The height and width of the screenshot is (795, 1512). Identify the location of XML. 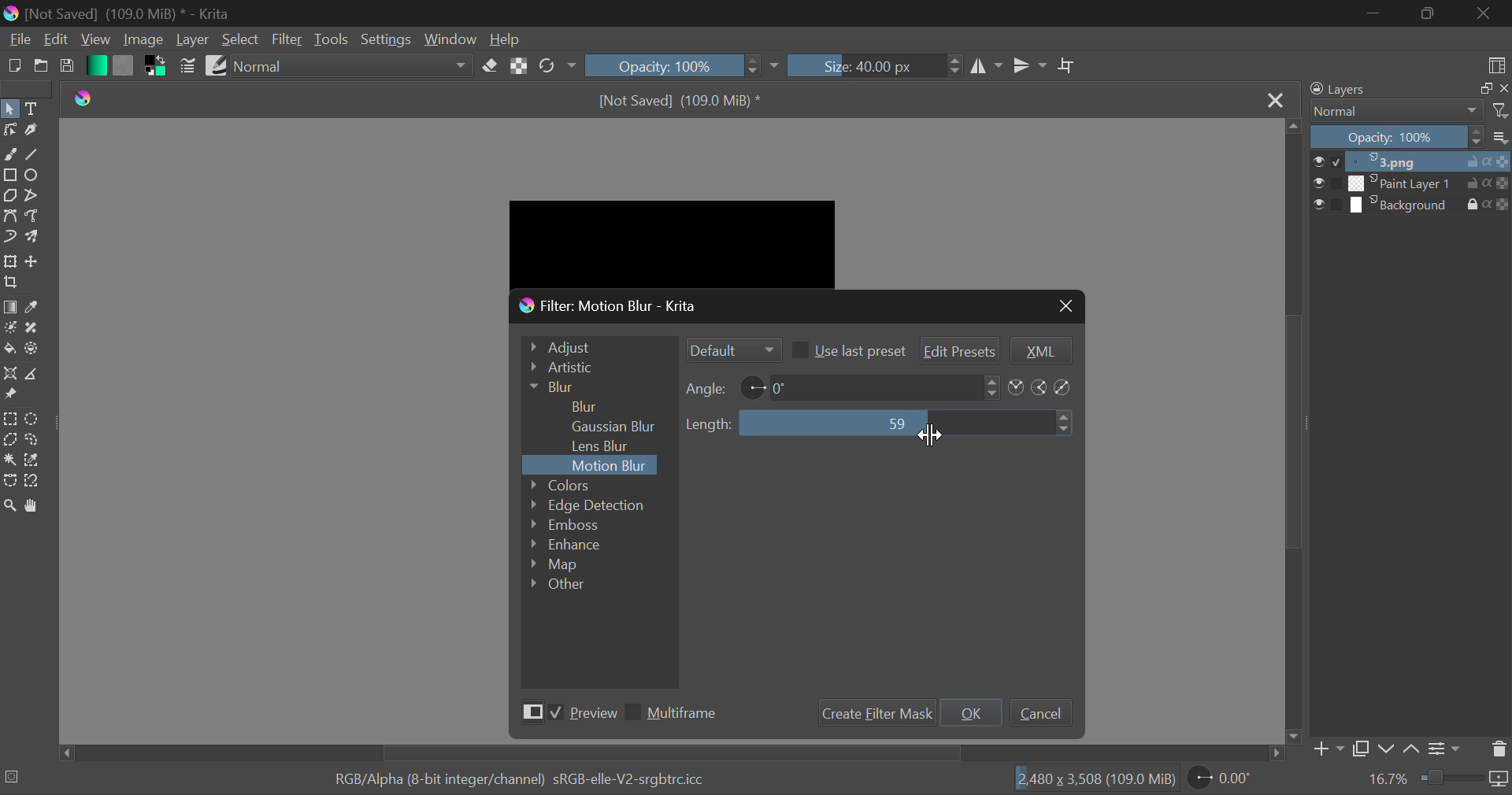
(1039, 351).